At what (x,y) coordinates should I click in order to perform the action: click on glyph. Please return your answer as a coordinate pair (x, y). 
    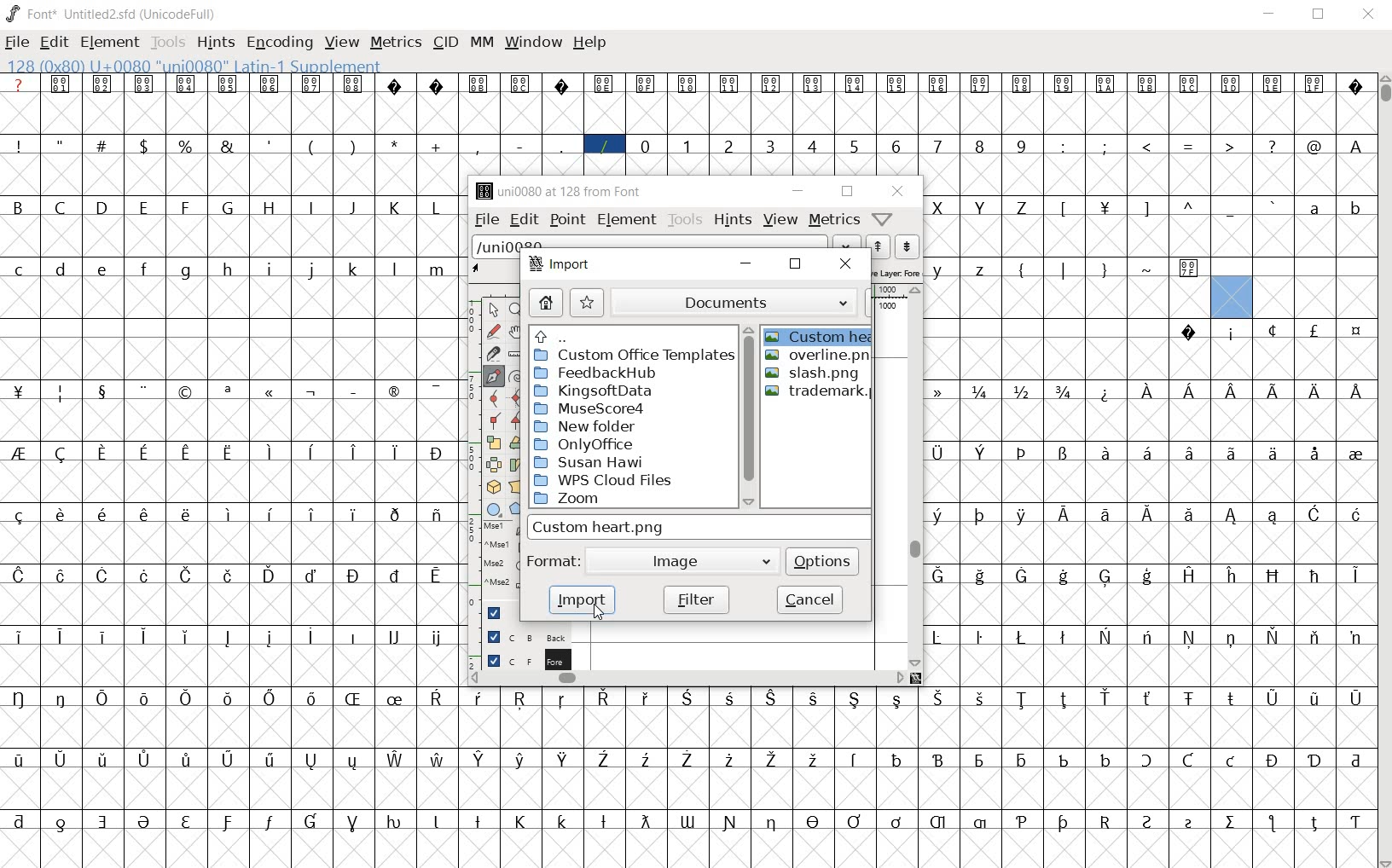
    Looking at the image, I should click on (311, 821).